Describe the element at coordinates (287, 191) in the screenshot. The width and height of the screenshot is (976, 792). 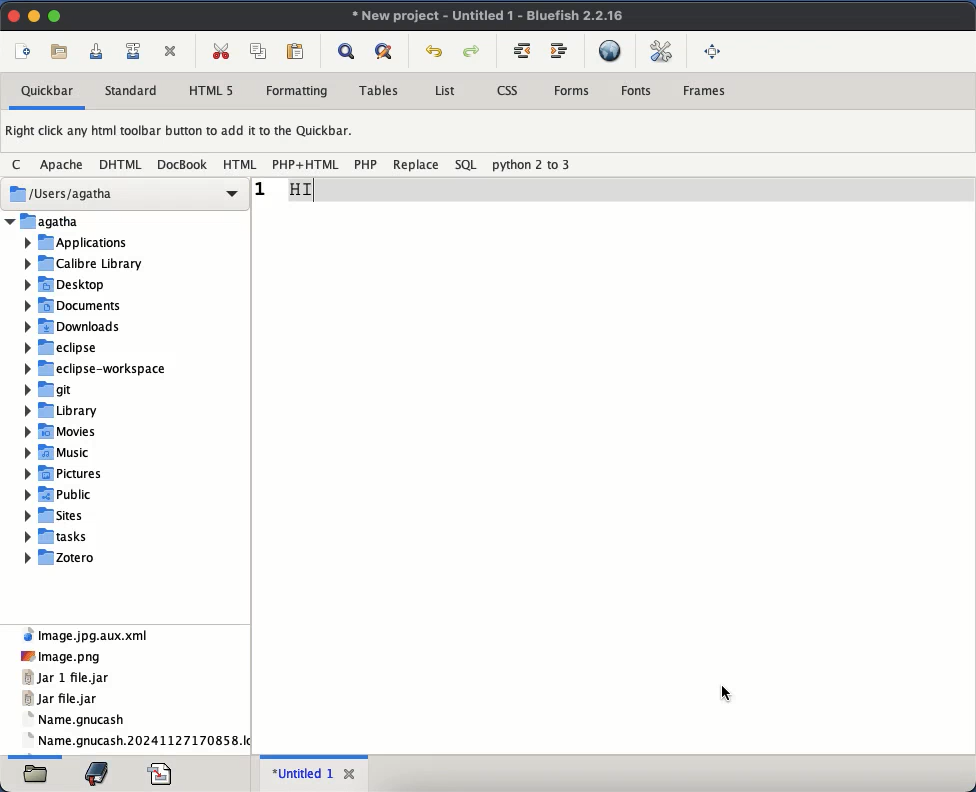
I see `reduced size` at that location.